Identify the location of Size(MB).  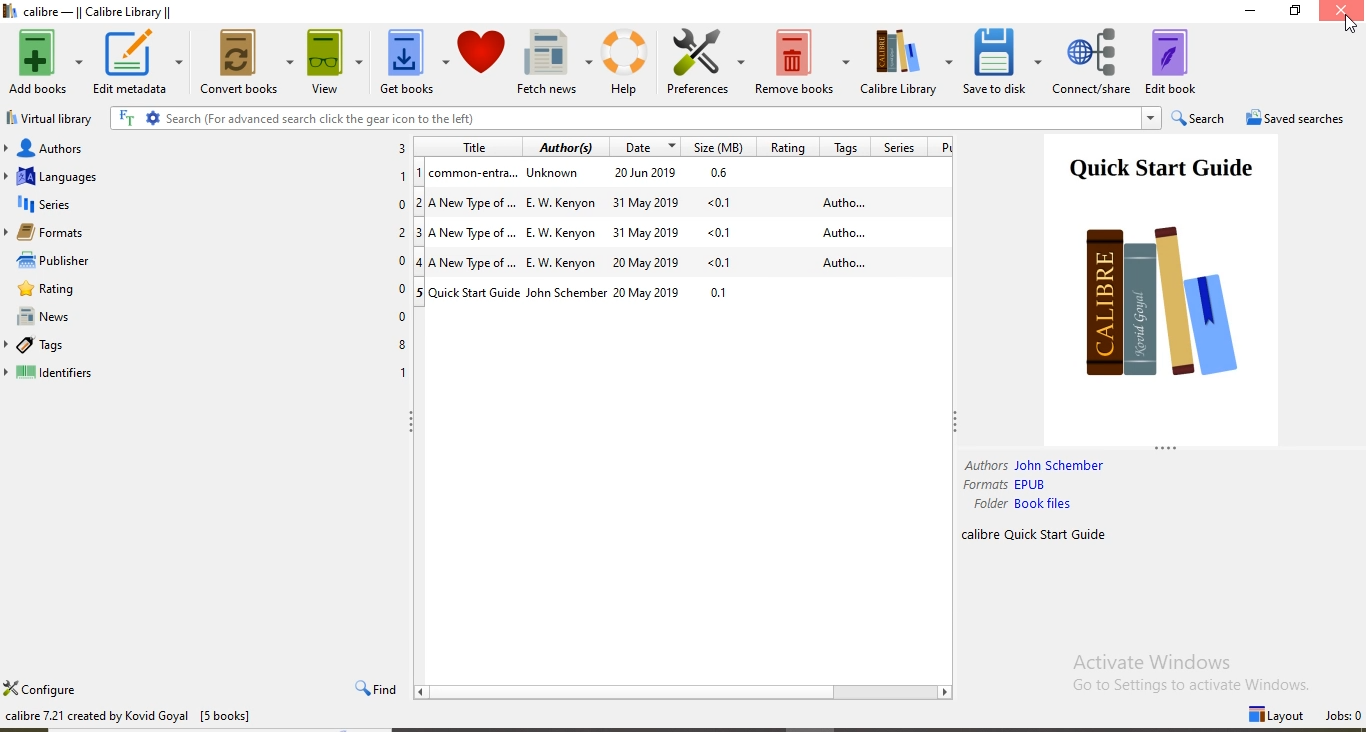
(721, 146).